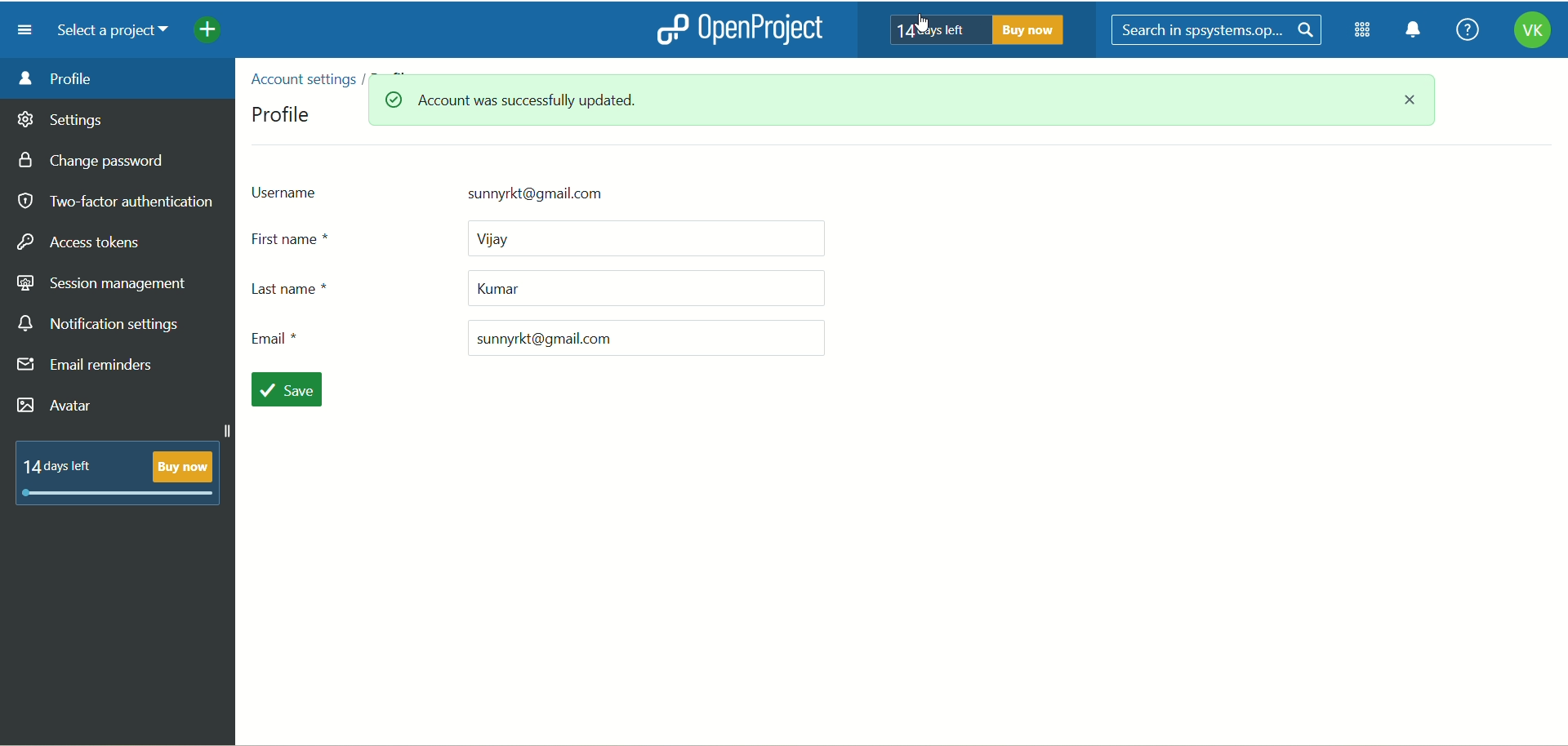  What do you see at coordinates (670, 29) in the screenshot?
I see `logo` at bounding box center [670, 29].